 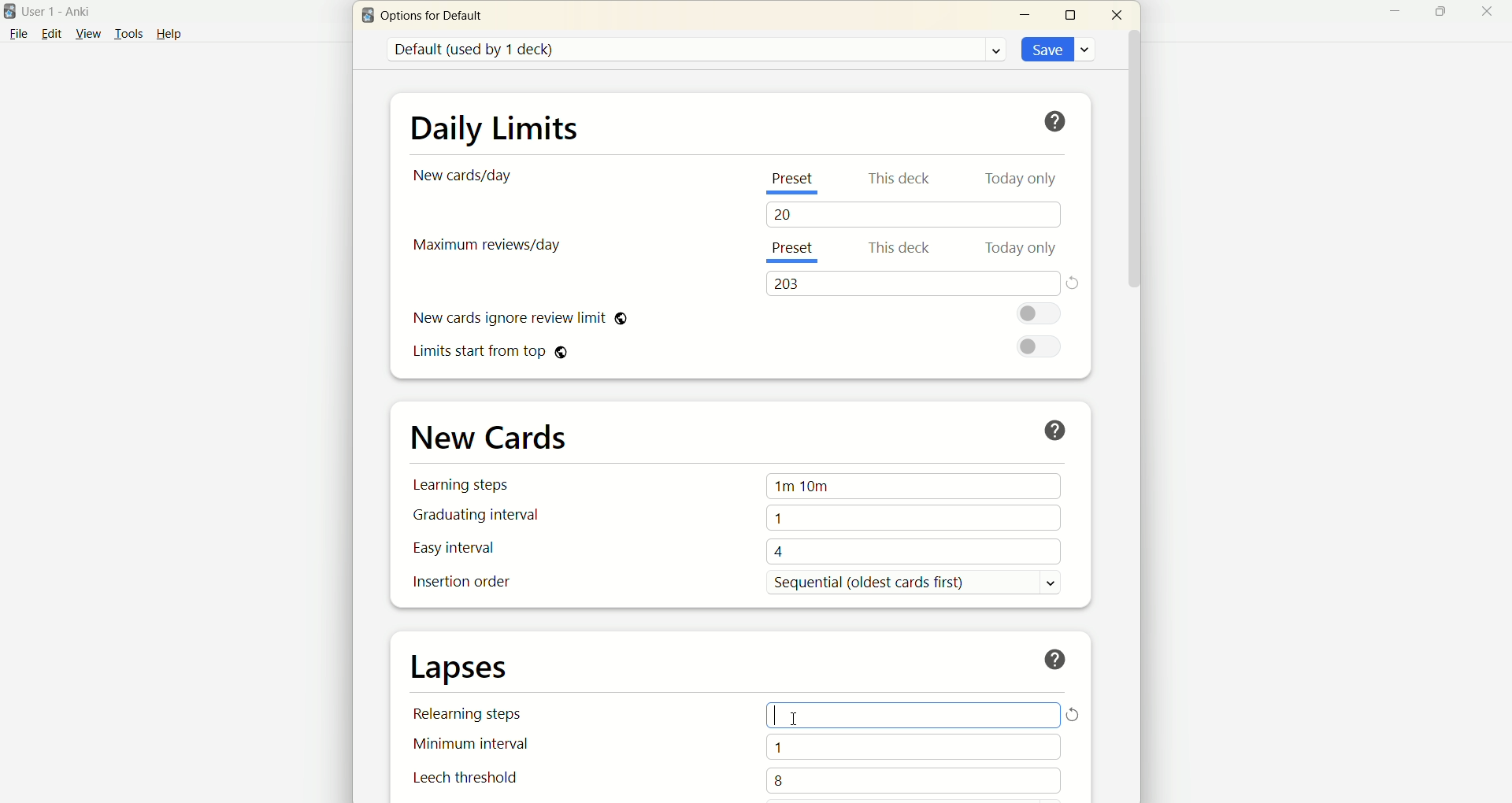 I want to click on help, so click(x=1058, y=427).